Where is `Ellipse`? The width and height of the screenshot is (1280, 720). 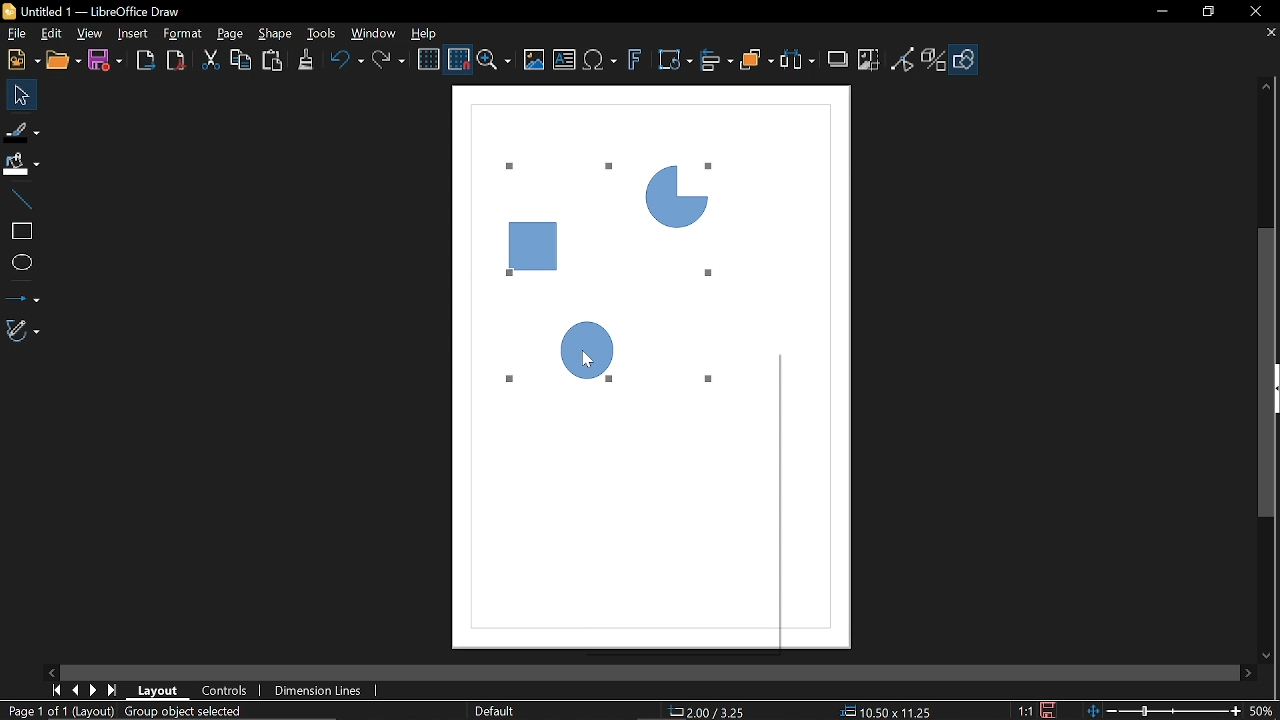 Ellipse is located at coordinates (19, 262).